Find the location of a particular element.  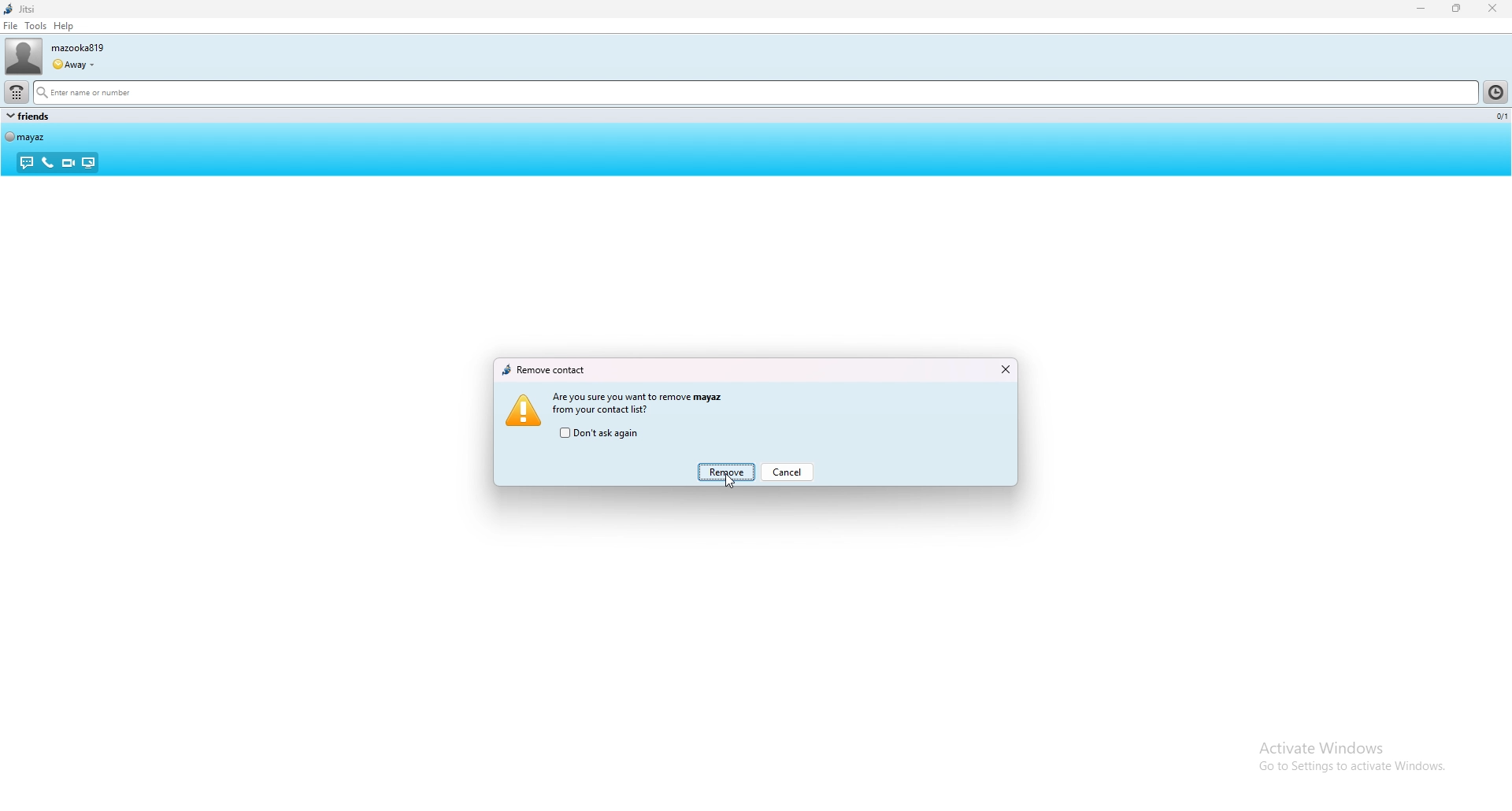

dialpad is located at coordinates (16, 91).